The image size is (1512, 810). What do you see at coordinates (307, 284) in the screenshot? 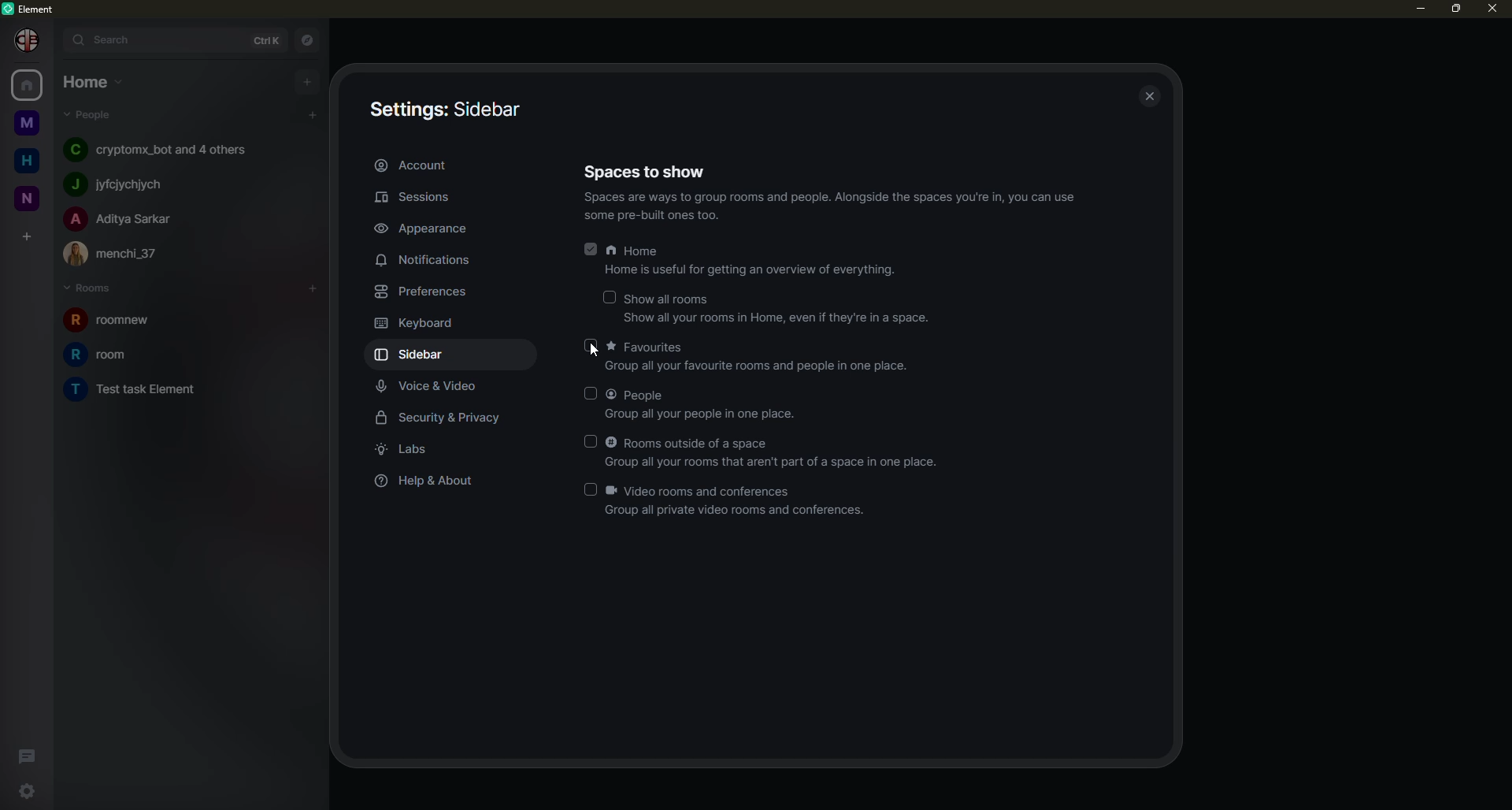
I see `add` at bounding box center [307, 284].